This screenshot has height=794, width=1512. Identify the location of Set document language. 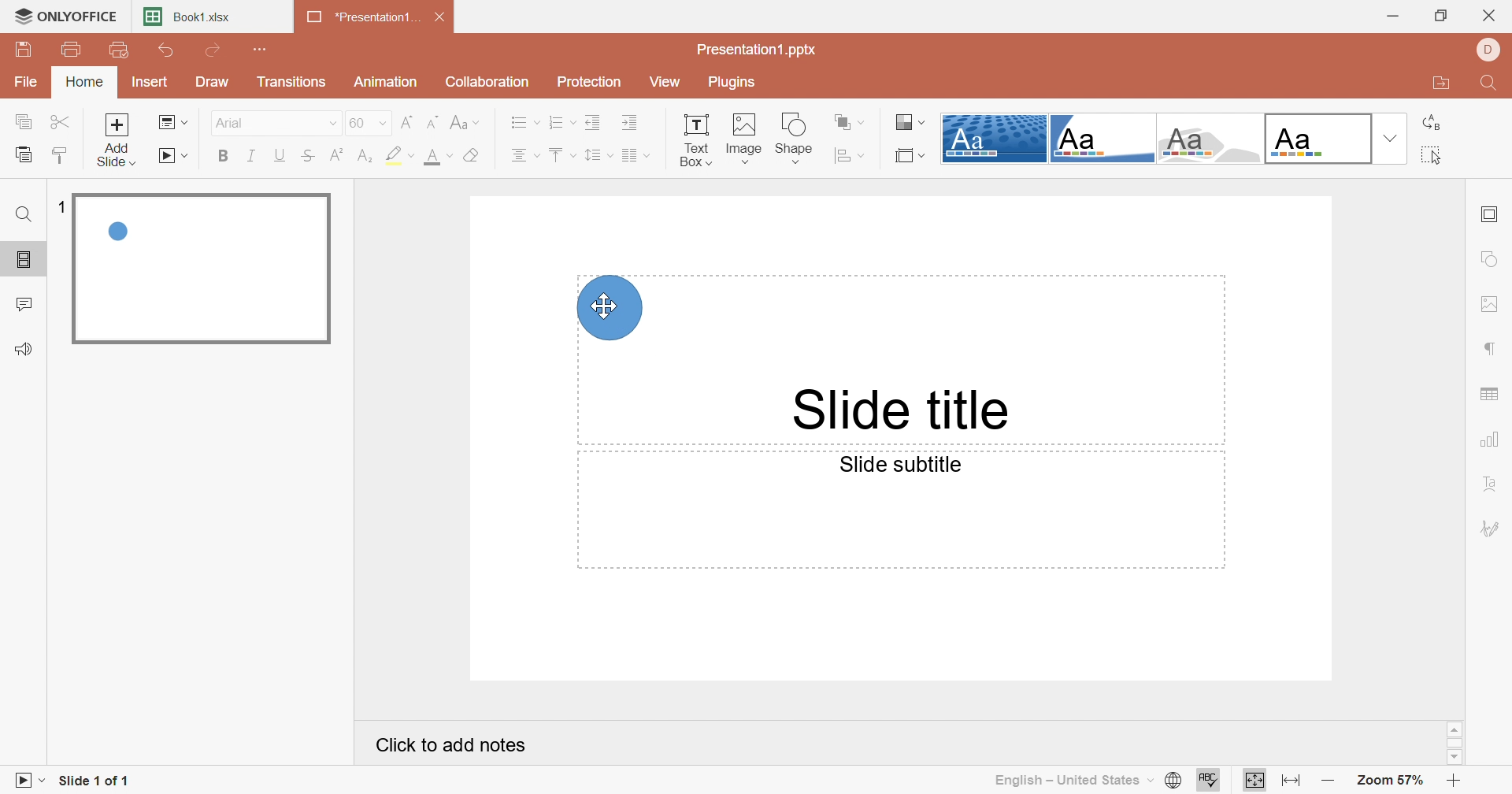
(1176, 781).